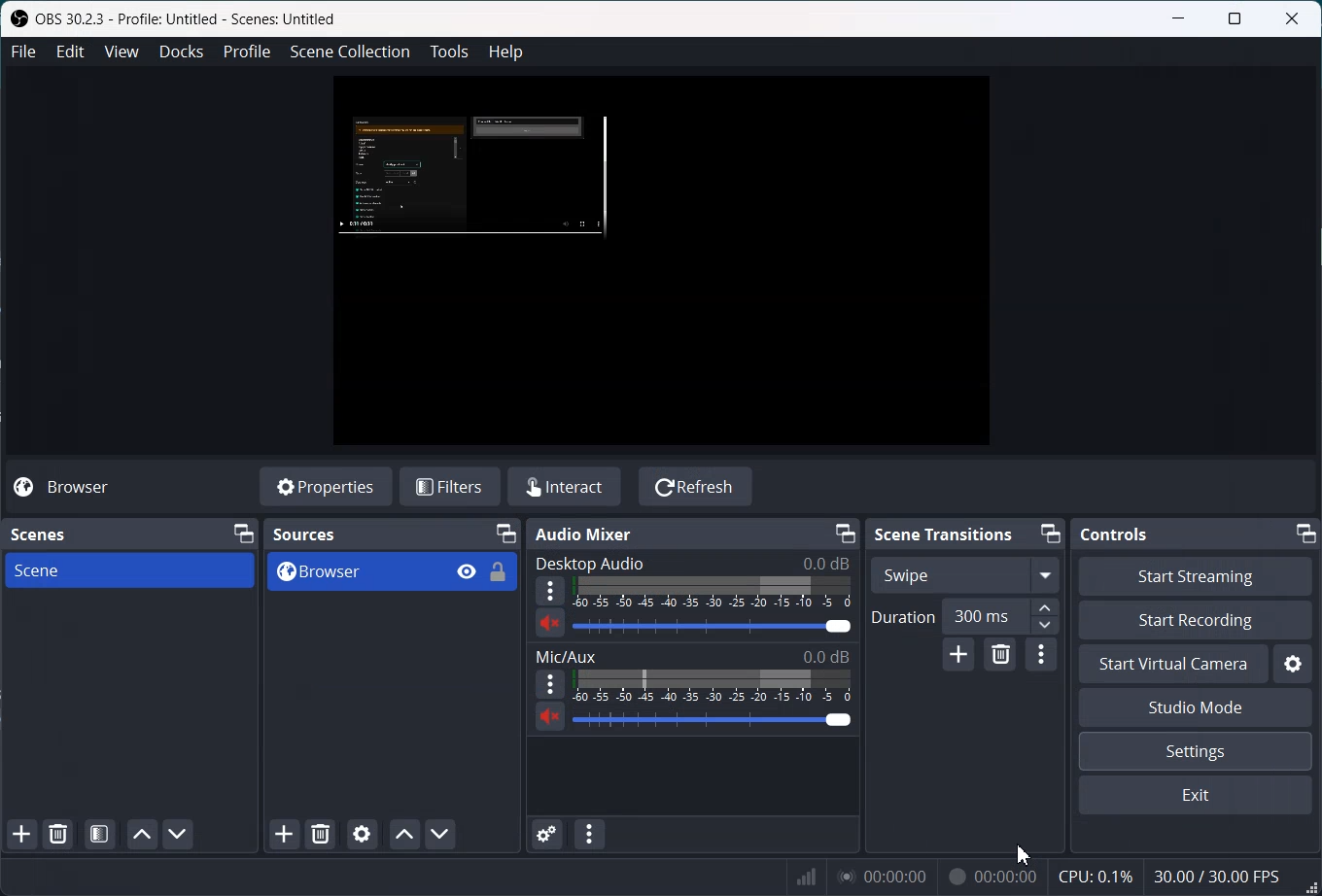 The width and height of the screenshot is (1322, 896). What do you see at coordinates (883, 876) in the screenshot?
I see `00:00:00` at bounding box center [883, 876].